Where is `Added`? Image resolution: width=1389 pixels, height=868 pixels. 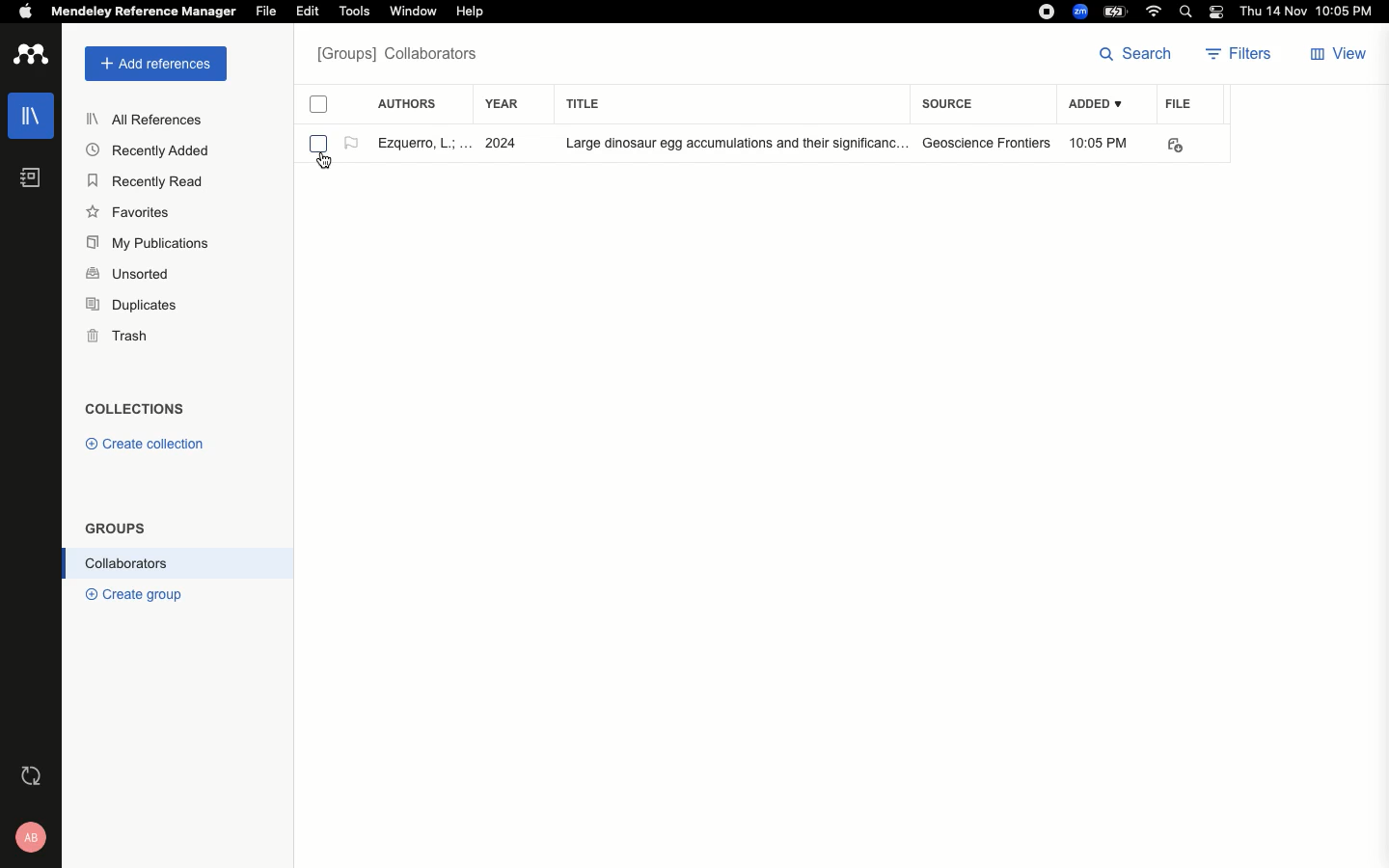
Added is located at coordinates (1094, 105).